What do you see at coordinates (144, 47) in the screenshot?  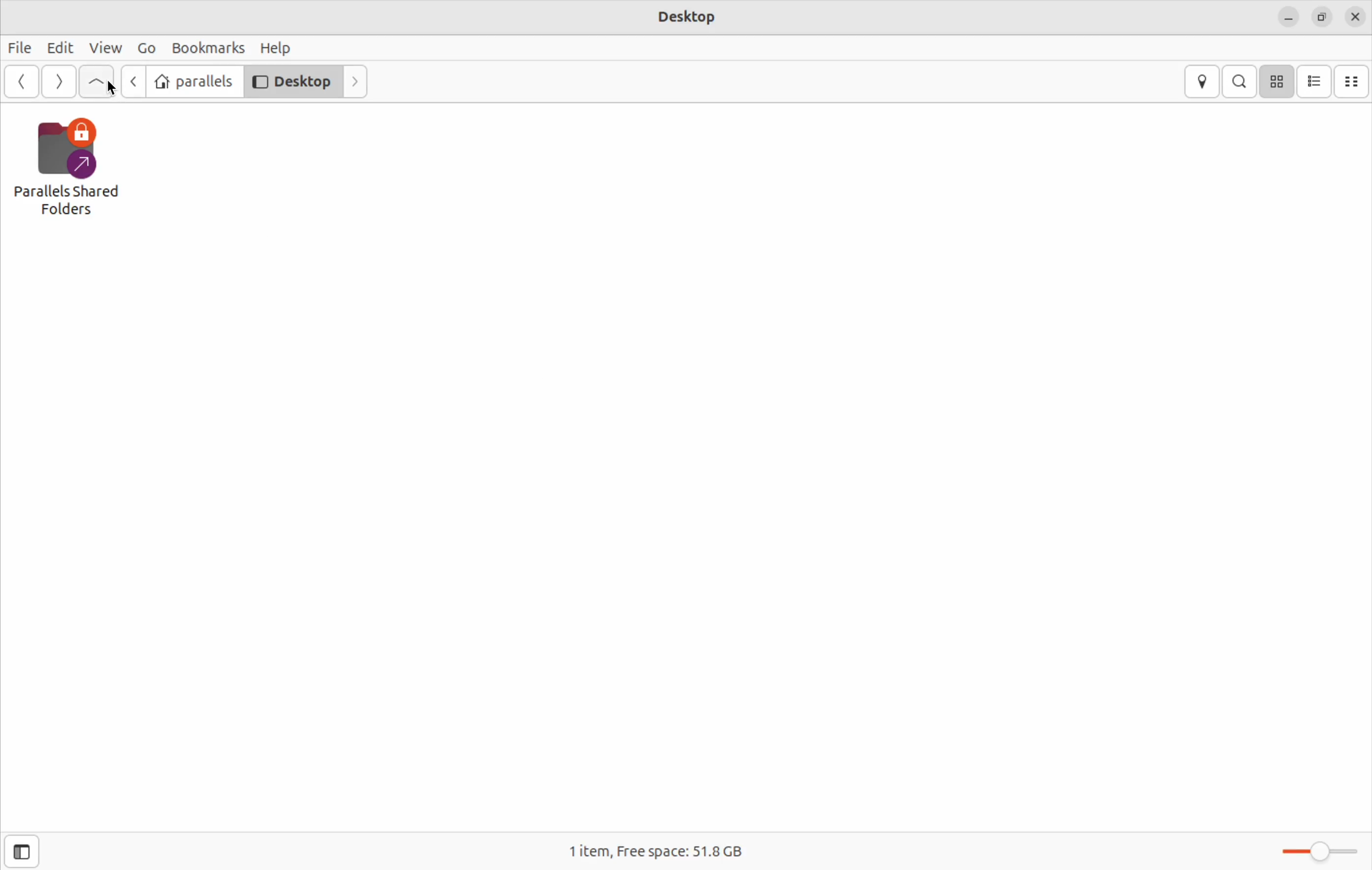 I see `Go` at bounding box center [144, 47].